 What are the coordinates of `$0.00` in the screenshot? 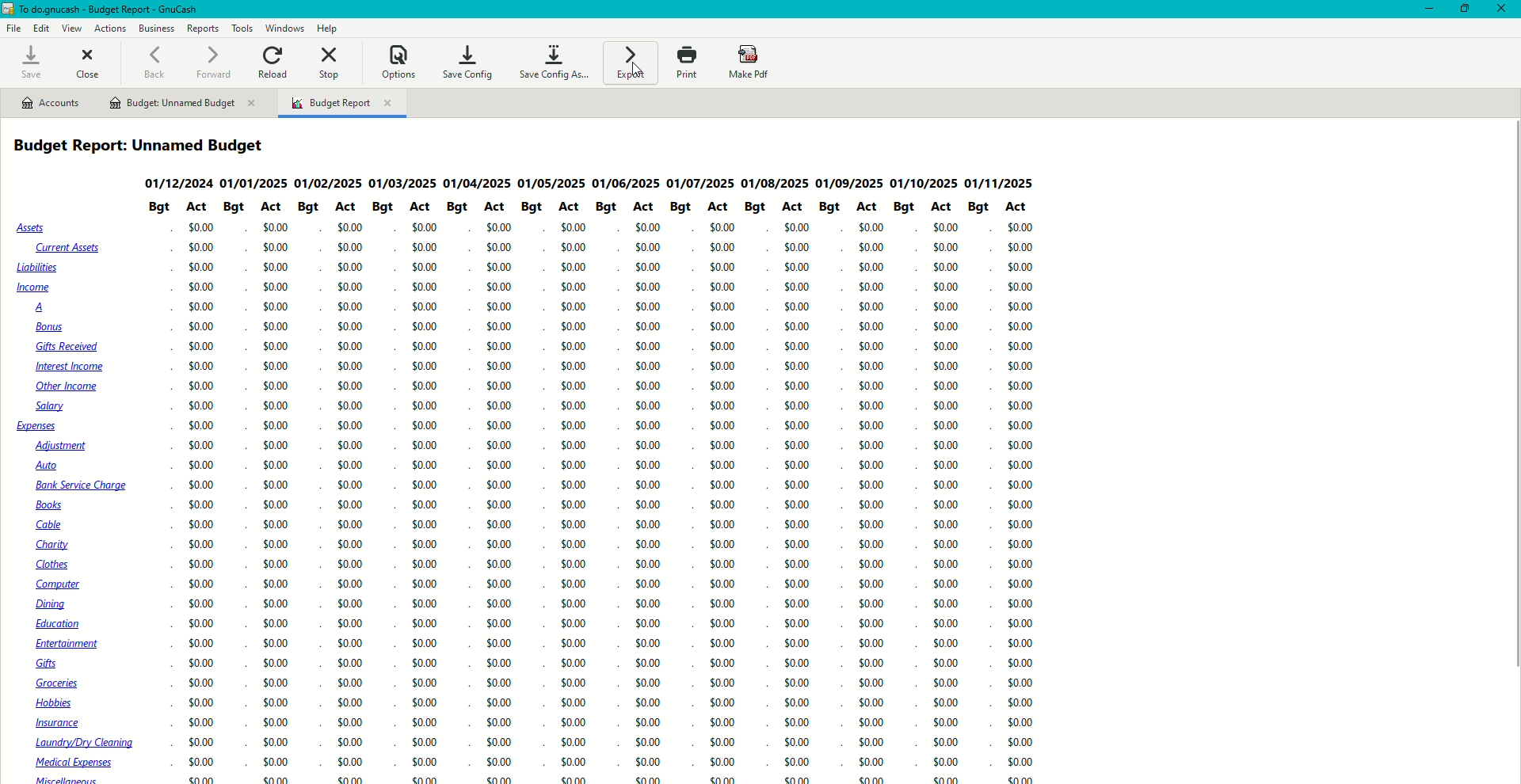 It's located at (650, 579).